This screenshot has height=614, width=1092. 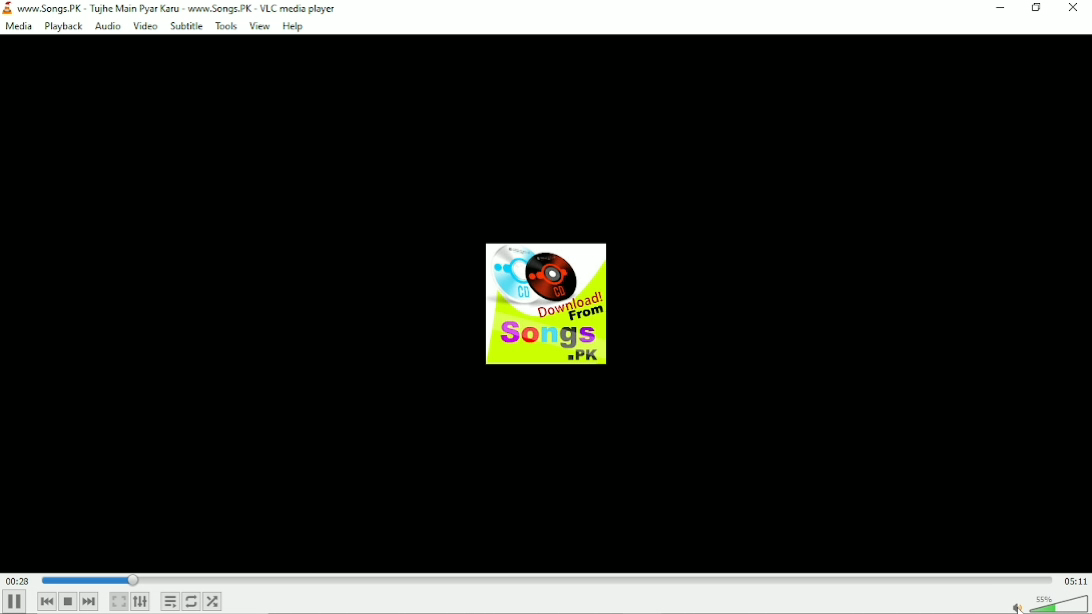 What do you see at coordinates (15, 600) in the screenshot?
I see `Pause` at bounding box center [15, 600].